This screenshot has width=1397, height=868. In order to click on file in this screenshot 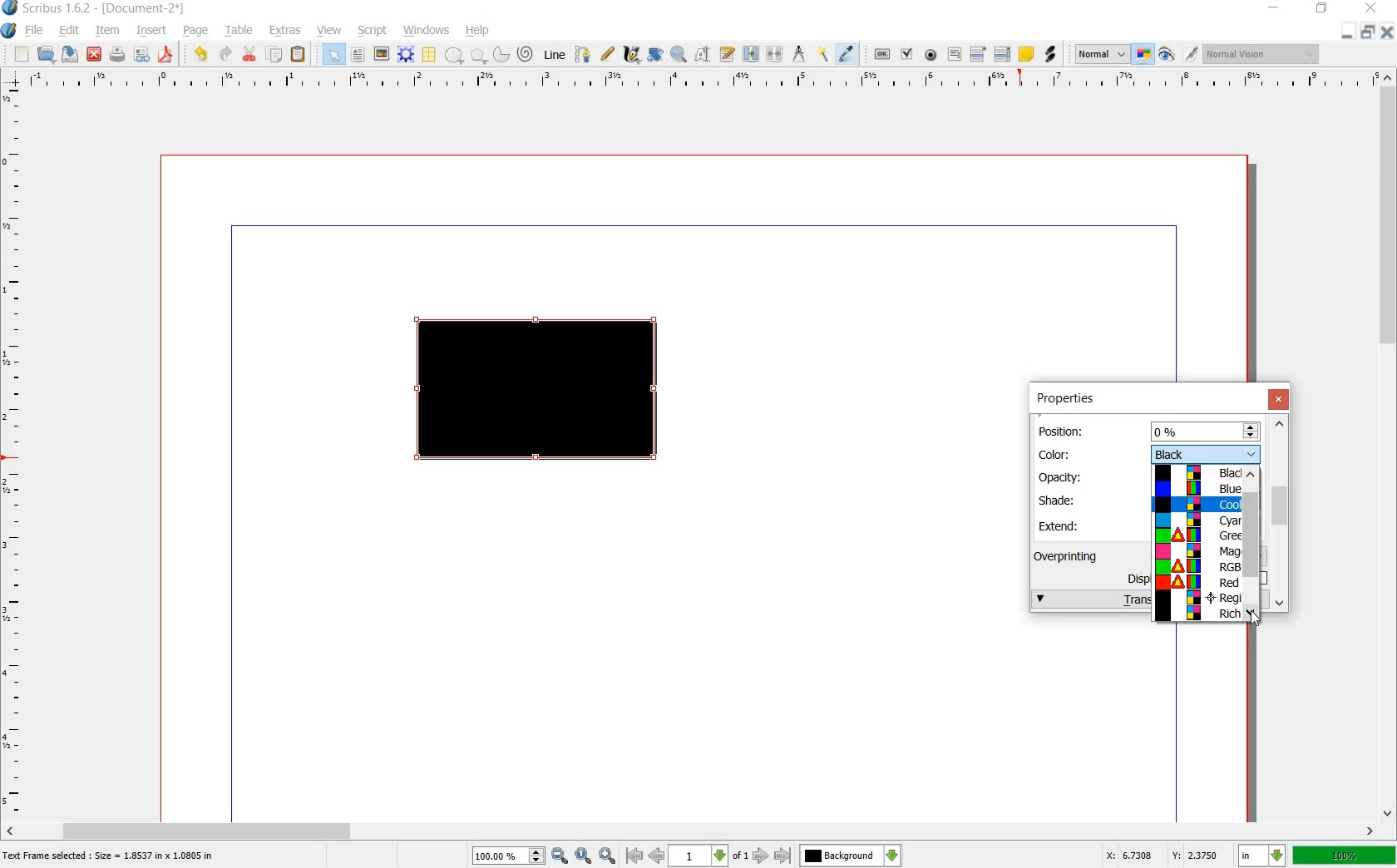, I will do `click(37, 31)`.